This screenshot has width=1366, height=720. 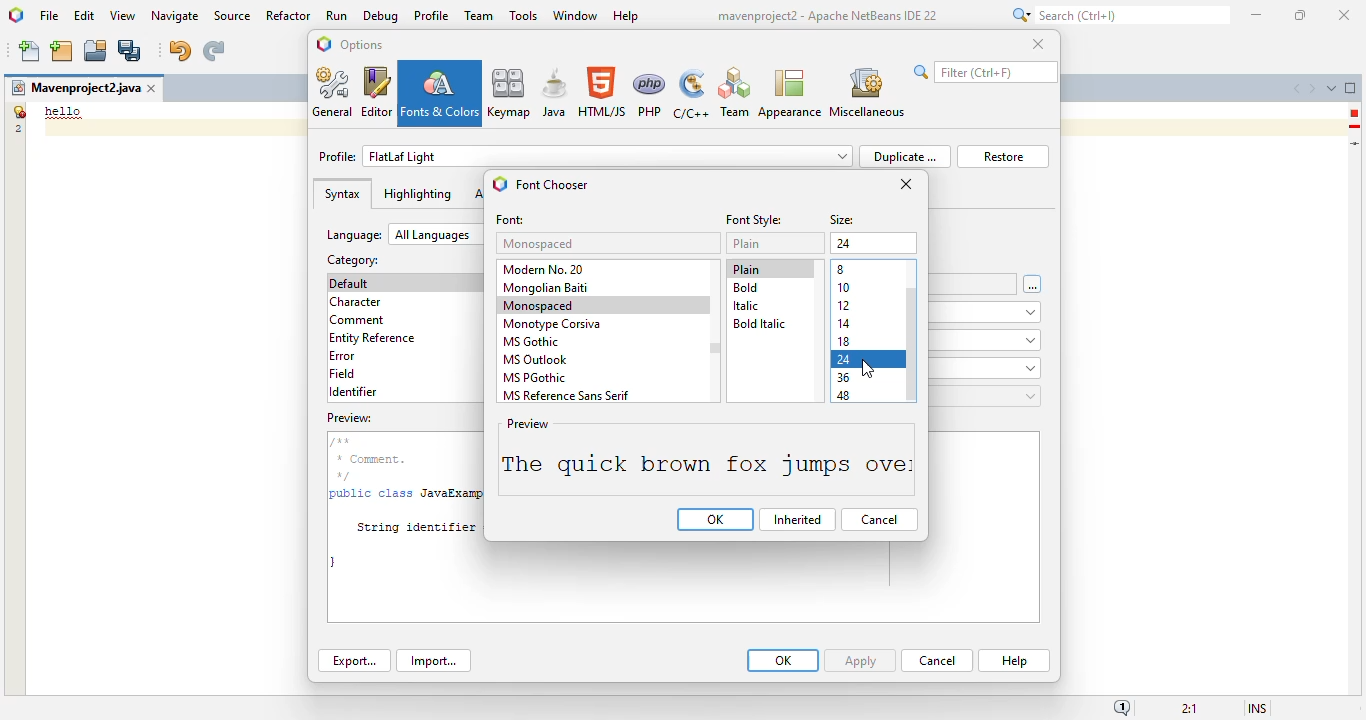 I want to click on apply, so click(x=860, y=661).